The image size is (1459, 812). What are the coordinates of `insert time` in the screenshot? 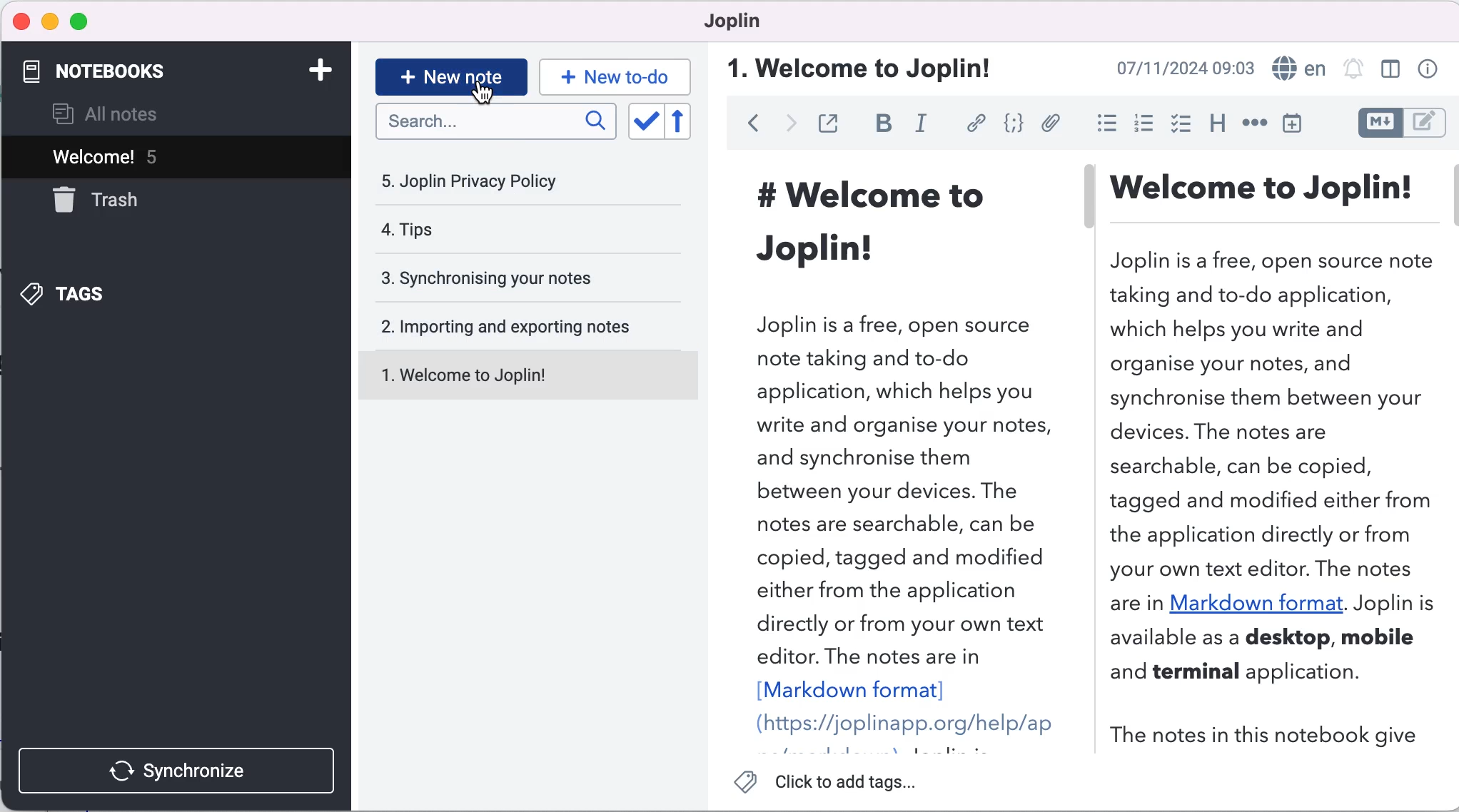 It's located at (1301, 123).